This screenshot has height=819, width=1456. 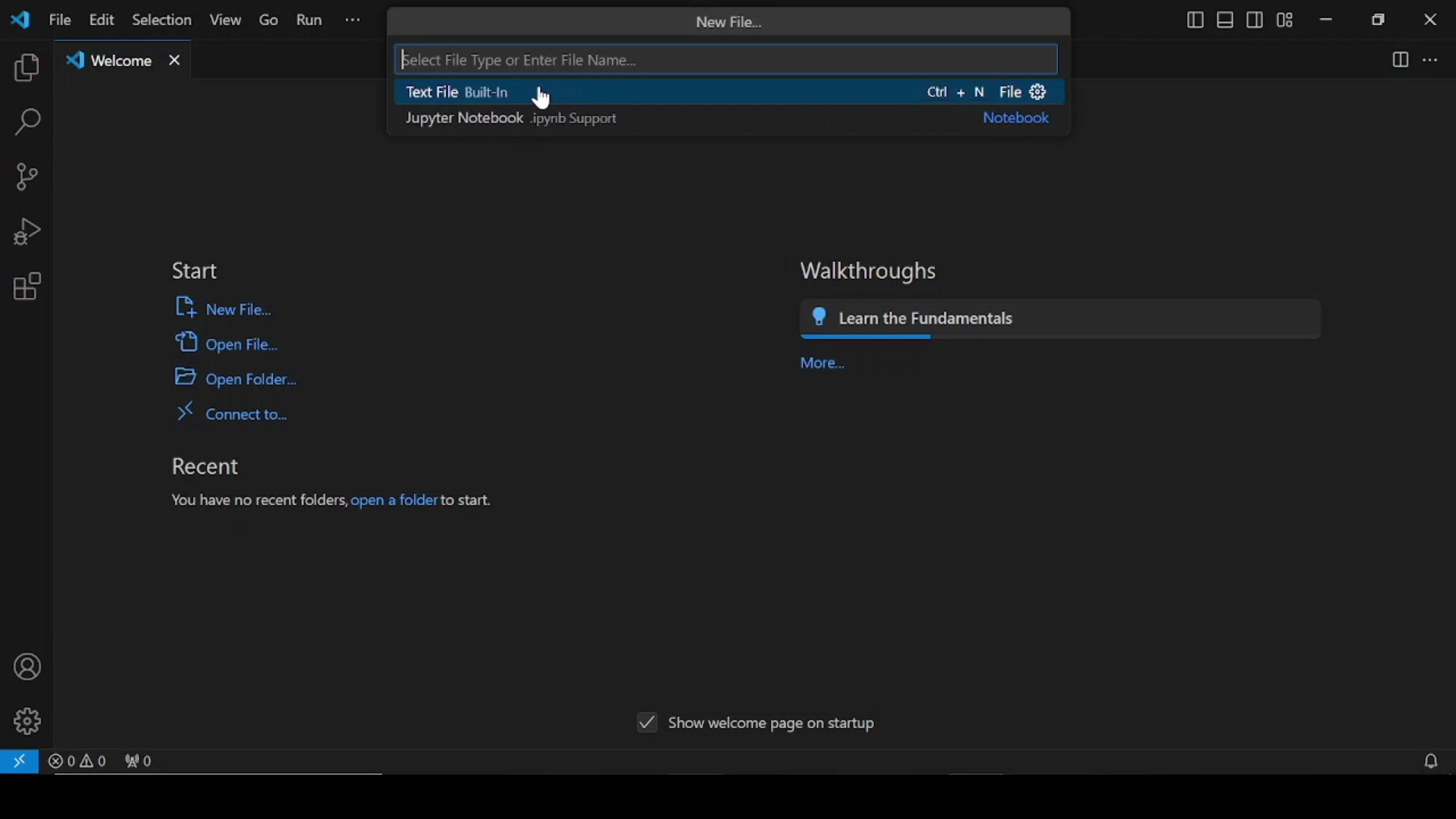 I want to click on run, so click(x=309, y=20).